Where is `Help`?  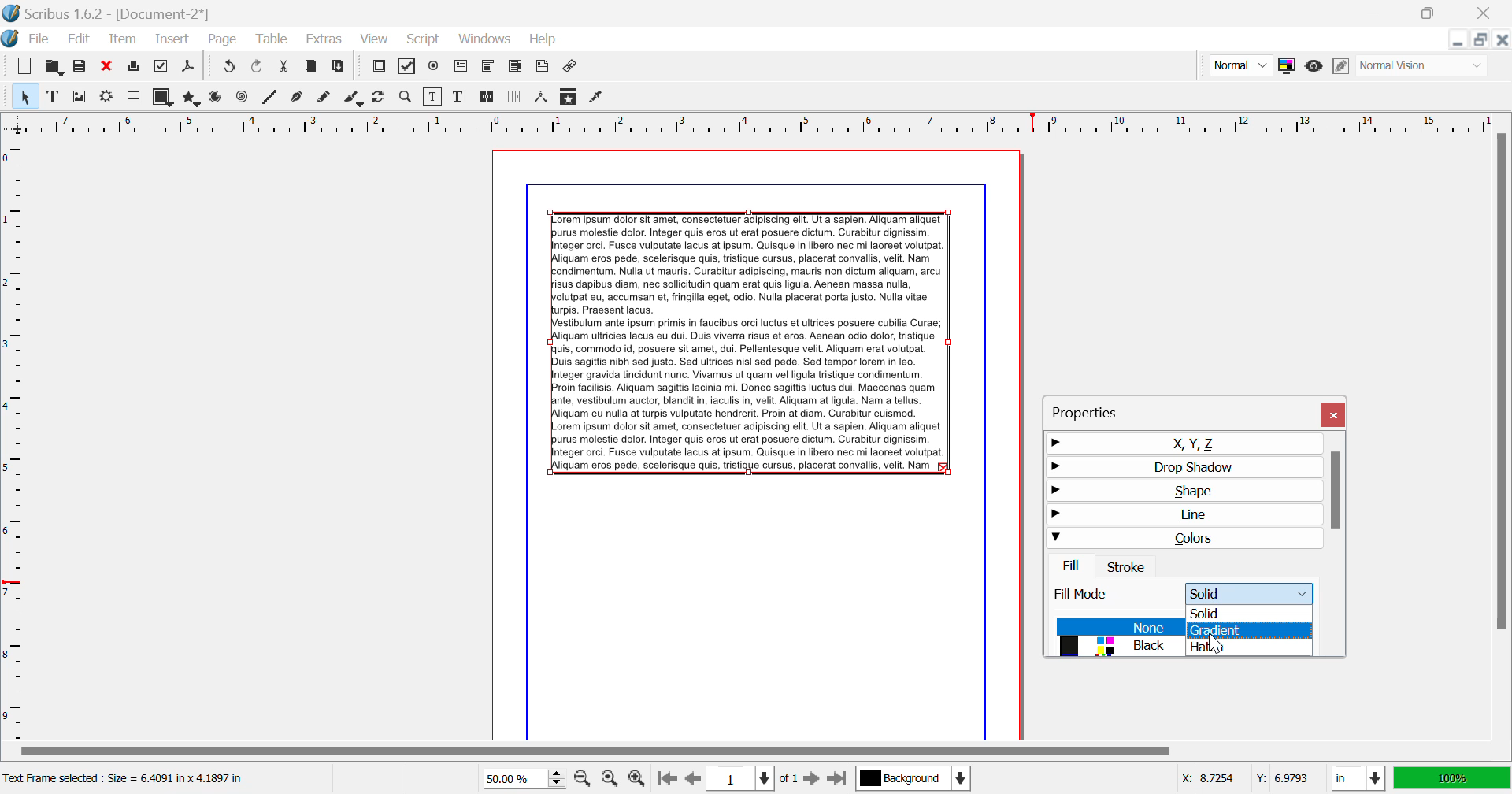 Help is located at coordinates (544, 39).